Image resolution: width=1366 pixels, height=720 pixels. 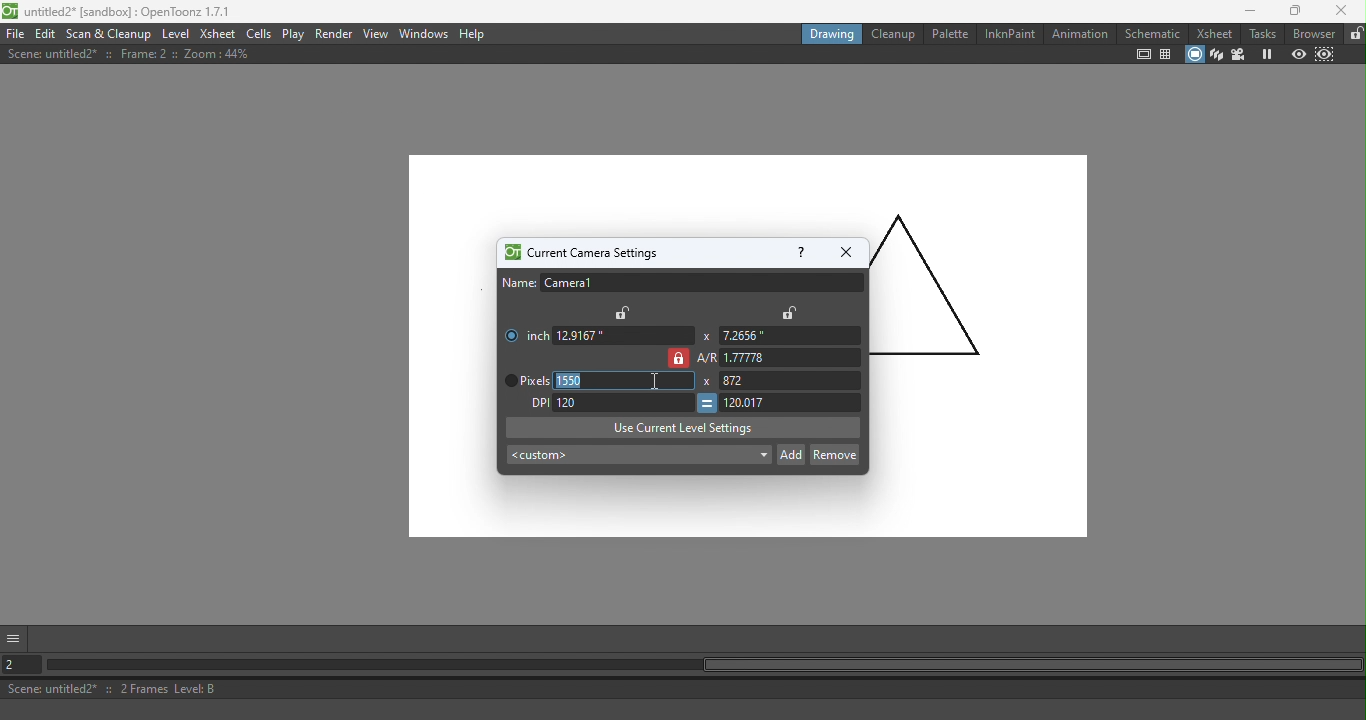 What do you see at coordinates (626, 381) in the screenshot?
I see `Enter pixels` at bounding box center [626, 381].